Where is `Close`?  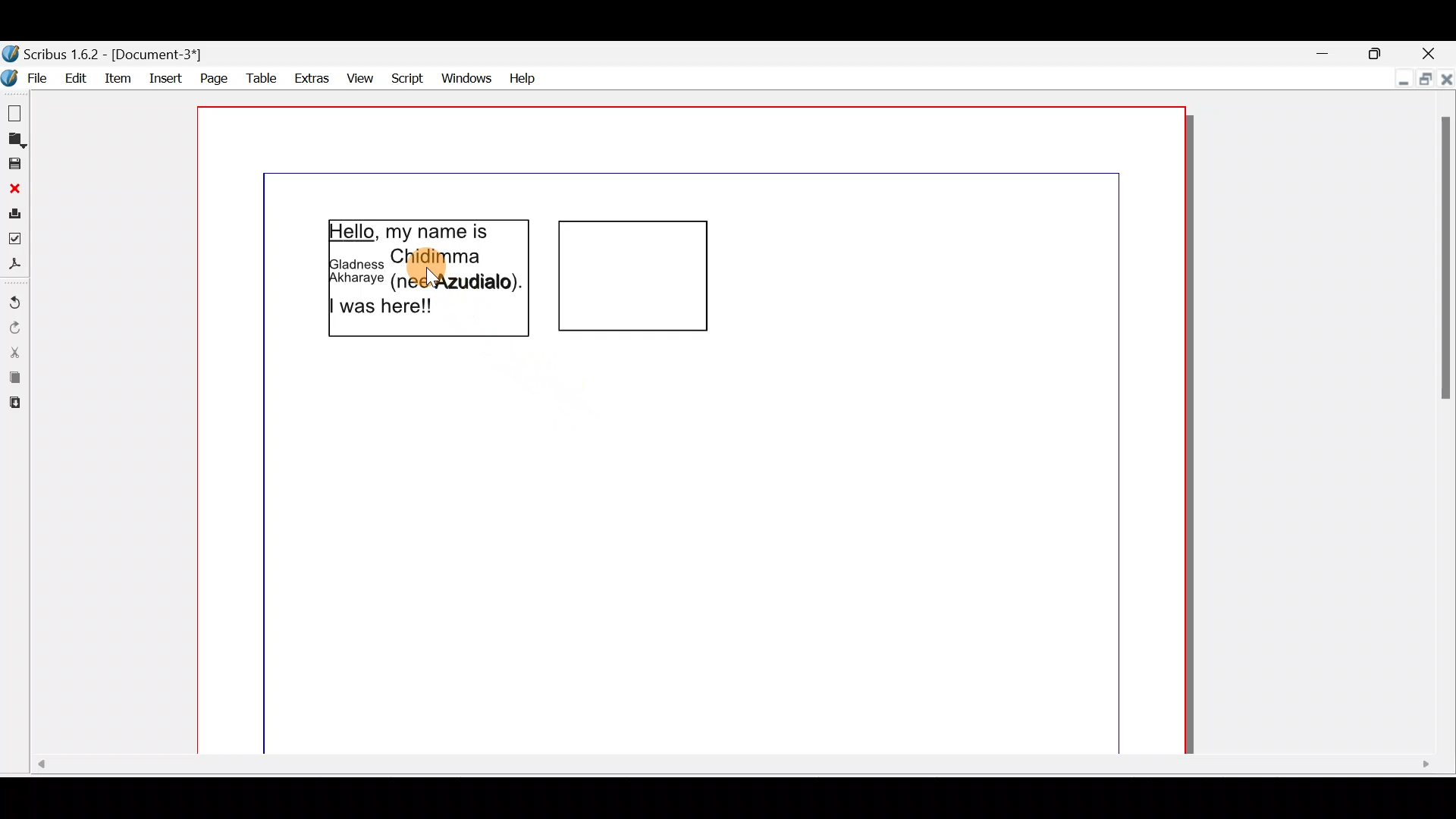
Close is located at coordinates (1446, 76).